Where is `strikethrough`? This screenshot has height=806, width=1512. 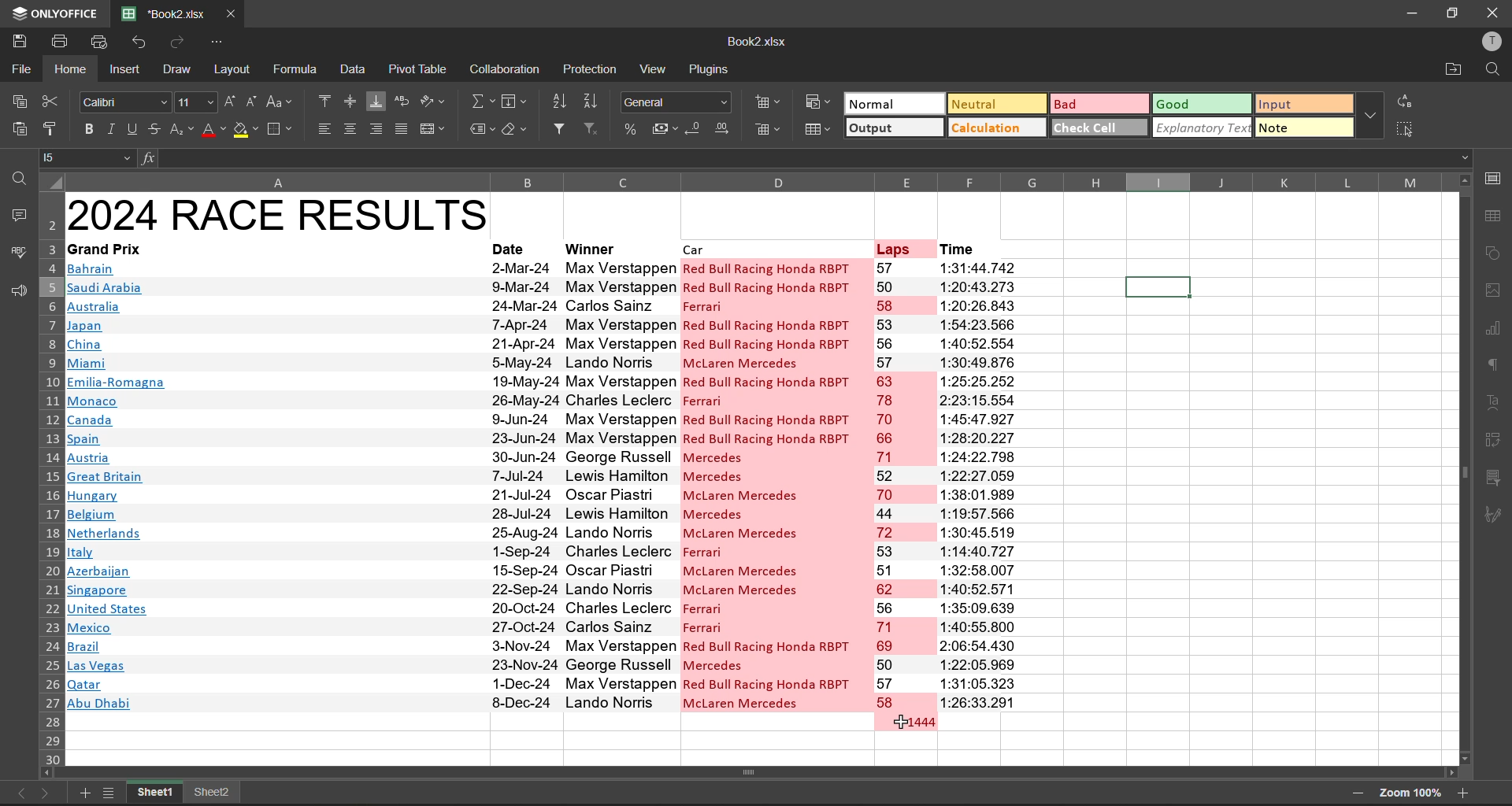 strikethrough is located at coordinates (157, 130).